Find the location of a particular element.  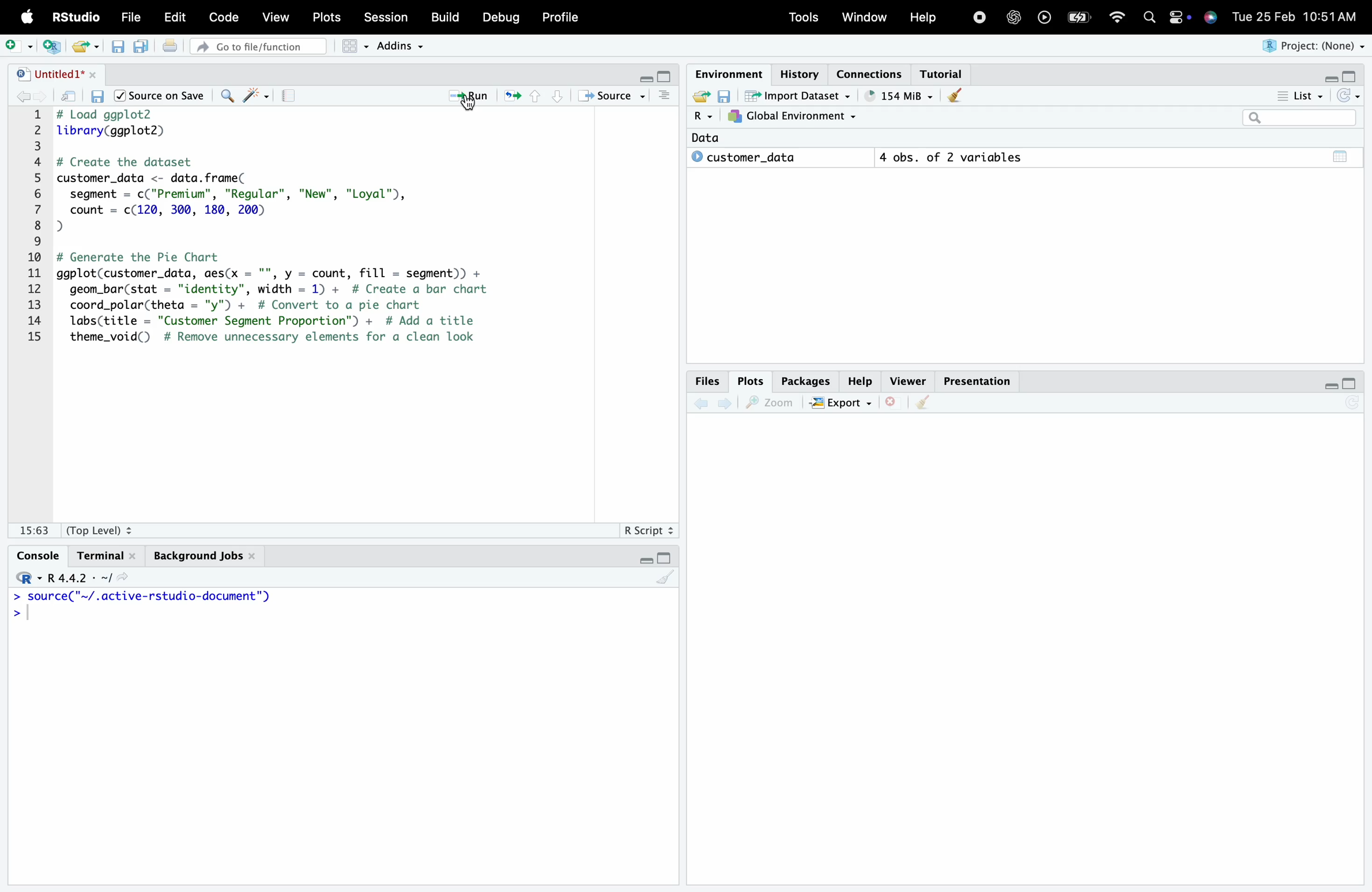

search is located at coordinates (1298, 119).